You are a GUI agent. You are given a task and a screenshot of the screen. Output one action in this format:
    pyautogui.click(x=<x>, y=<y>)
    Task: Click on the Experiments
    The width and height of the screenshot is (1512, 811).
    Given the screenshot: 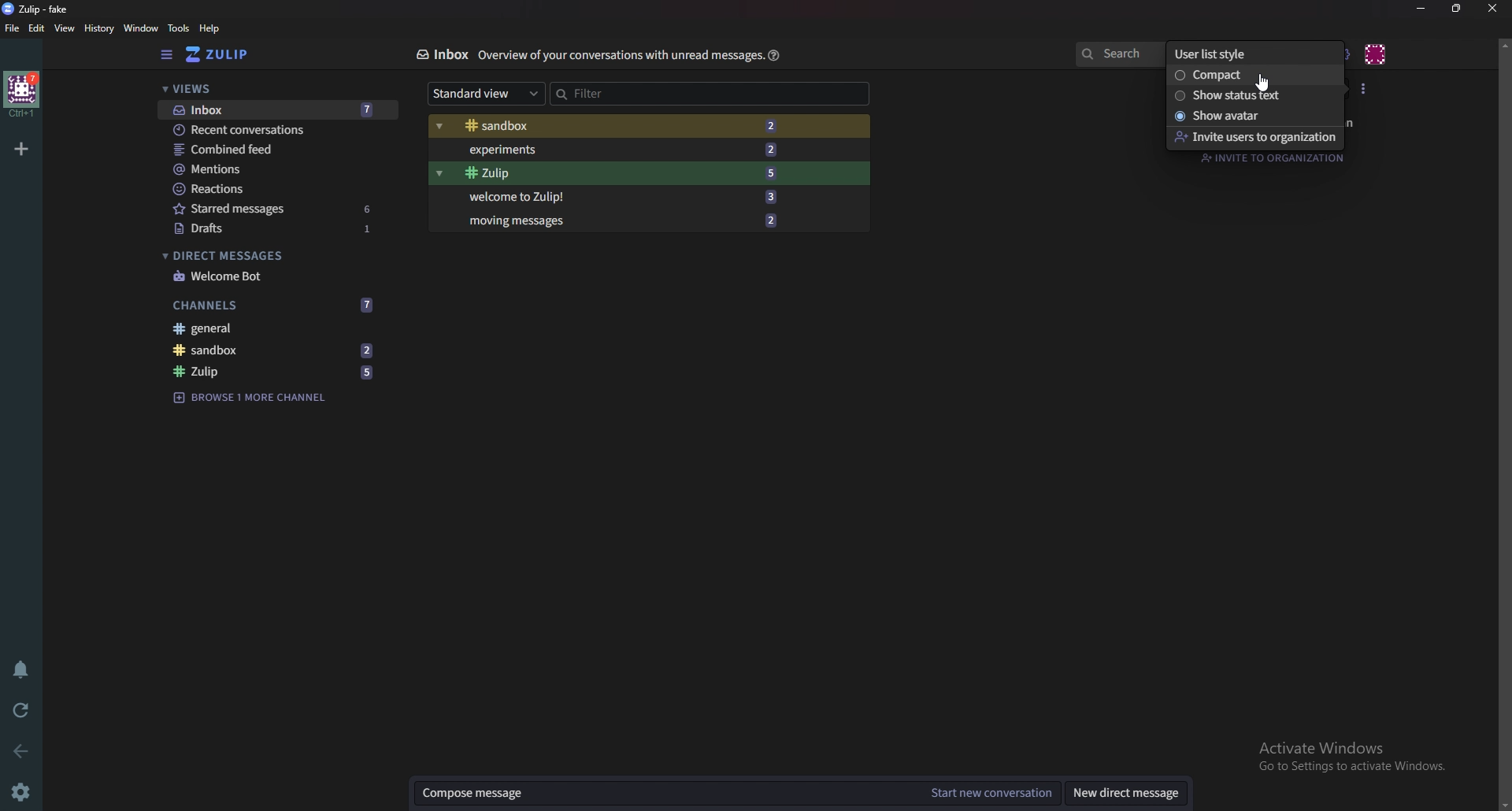 What is the action you would take?
    pyautogui.click(x=629, y=149)
    